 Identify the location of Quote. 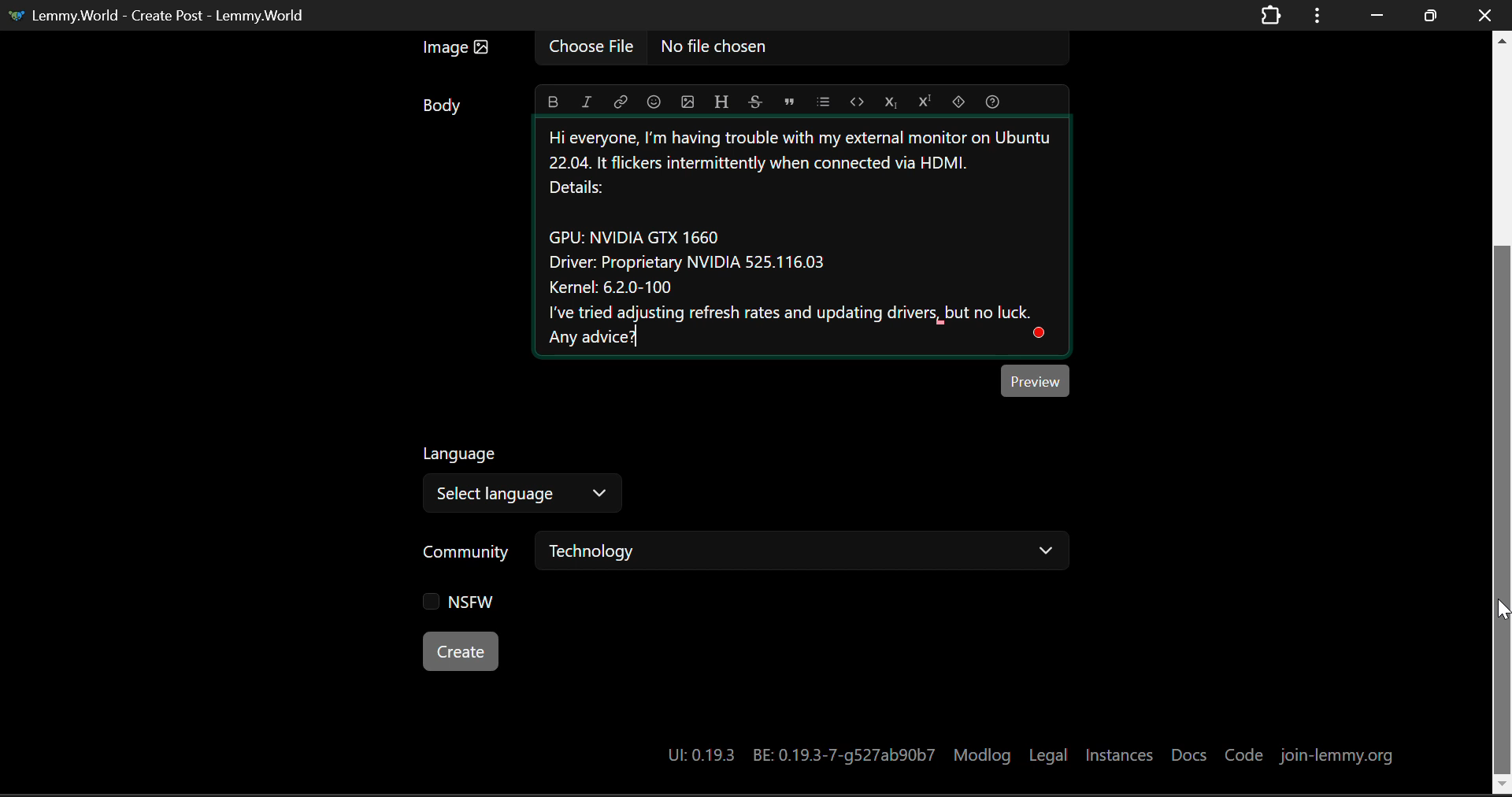
(788, 102).